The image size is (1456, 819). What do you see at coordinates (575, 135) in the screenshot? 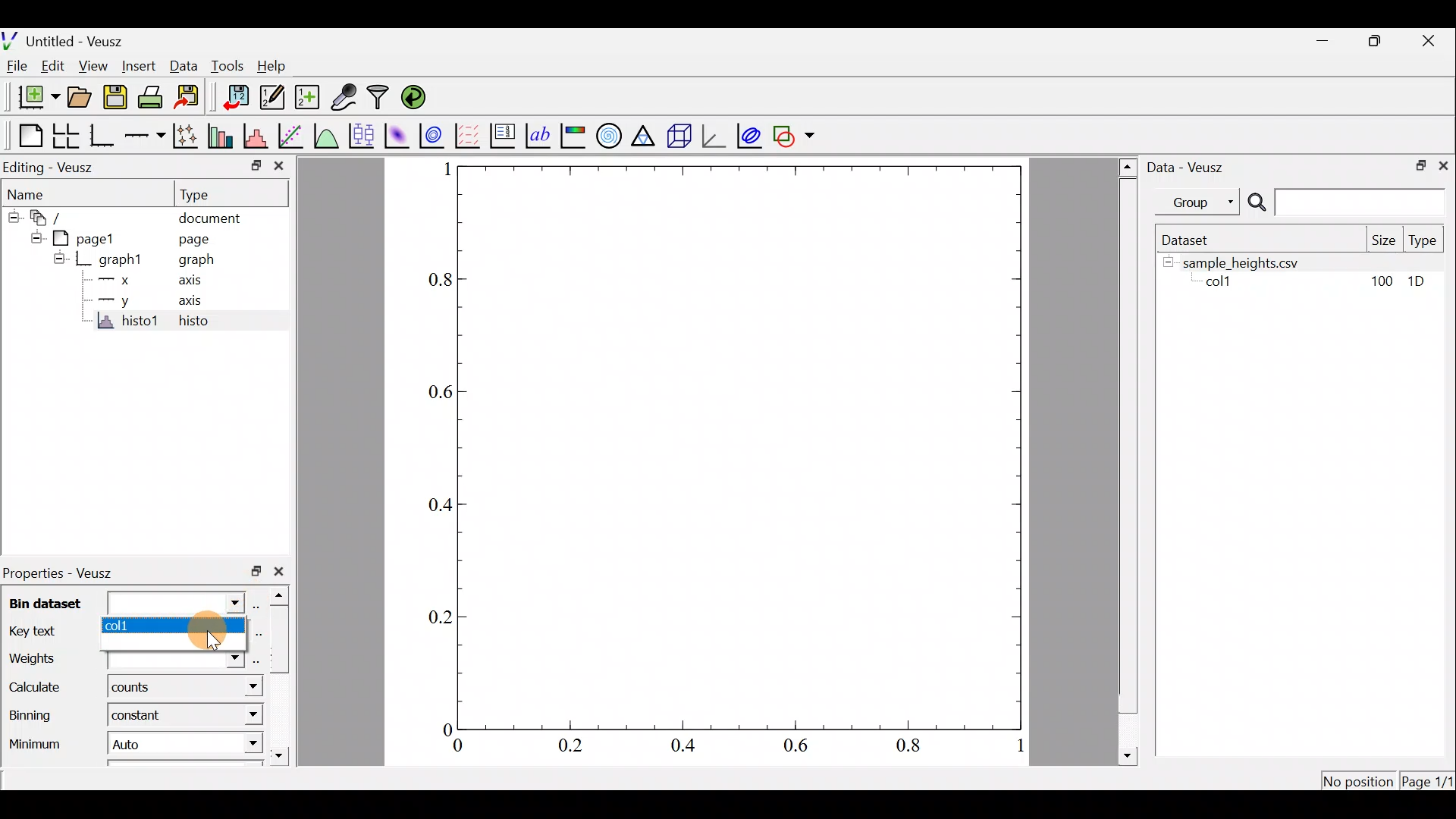
I see `image color bar` at bounding box center [575, 135].